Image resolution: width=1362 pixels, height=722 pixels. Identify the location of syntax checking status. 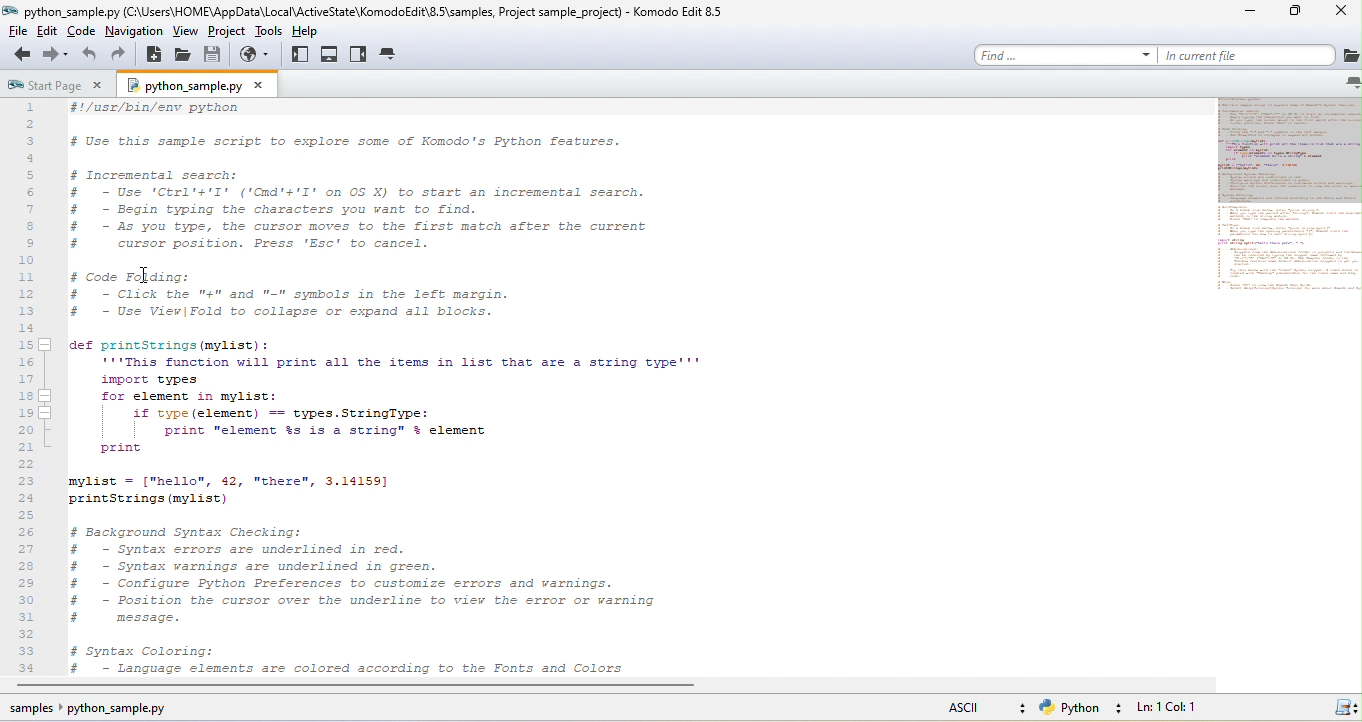
(1342, 708).